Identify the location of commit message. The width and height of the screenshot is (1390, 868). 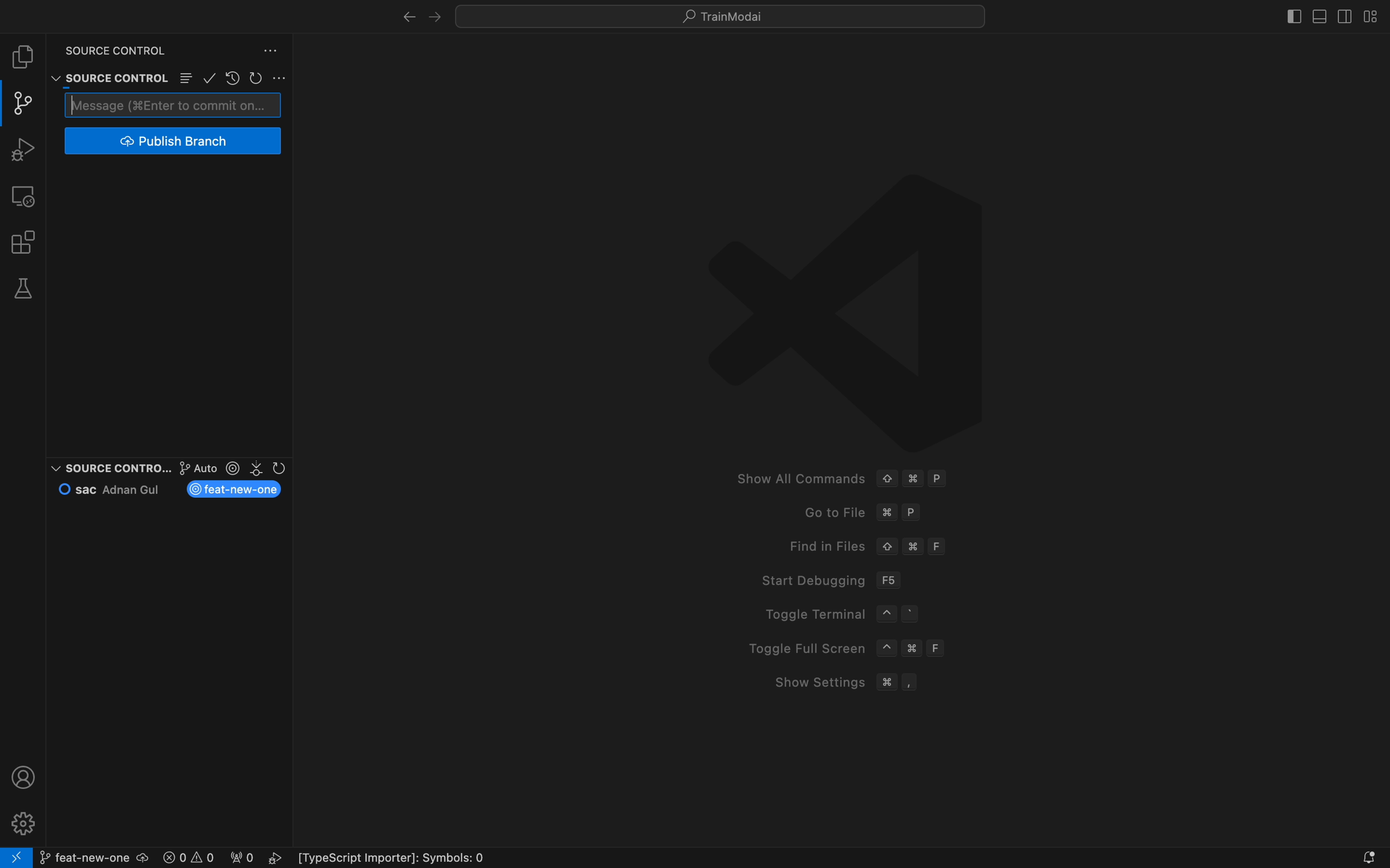
(173, 104).